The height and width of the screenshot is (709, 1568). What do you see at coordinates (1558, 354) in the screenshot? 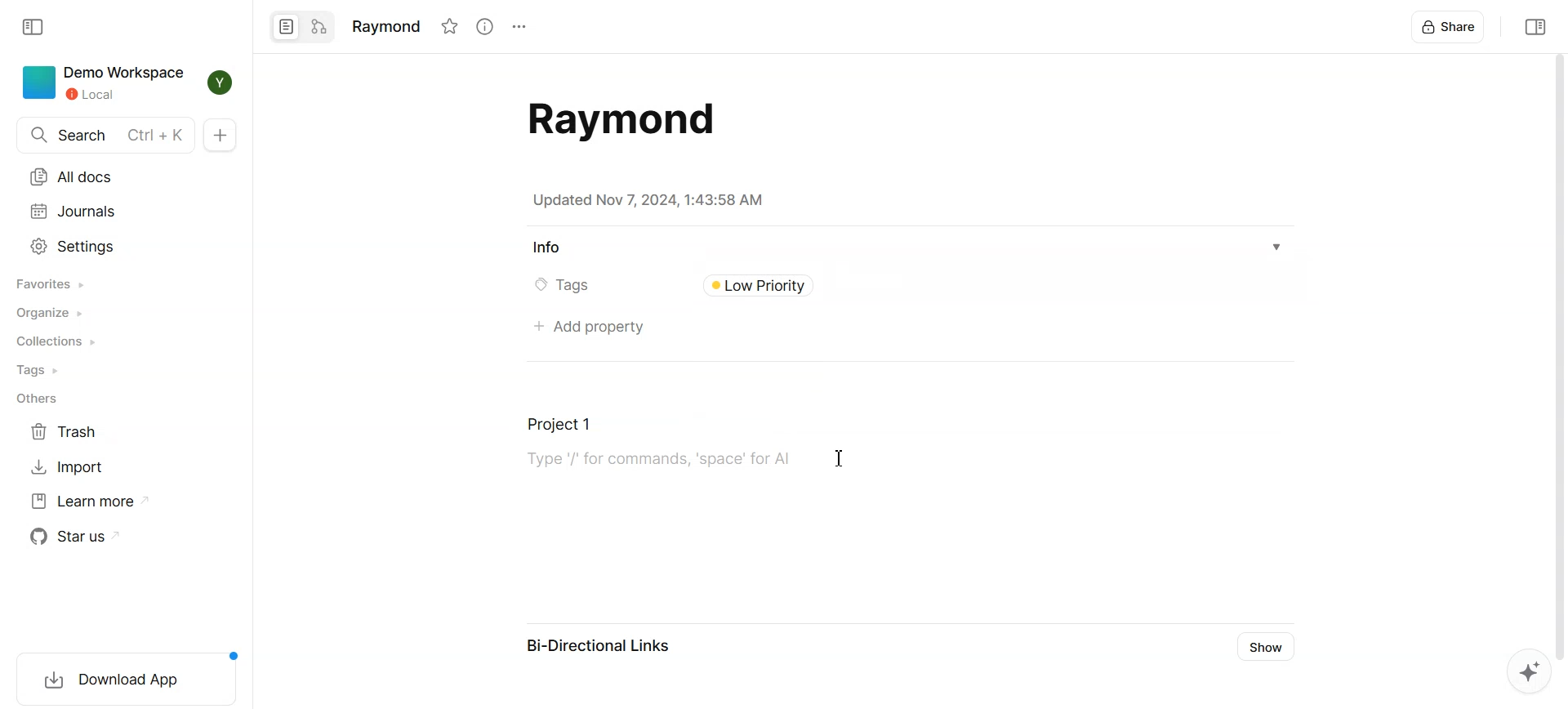
I see `Vertical scrollbar` at bounding box center [1558, 354].